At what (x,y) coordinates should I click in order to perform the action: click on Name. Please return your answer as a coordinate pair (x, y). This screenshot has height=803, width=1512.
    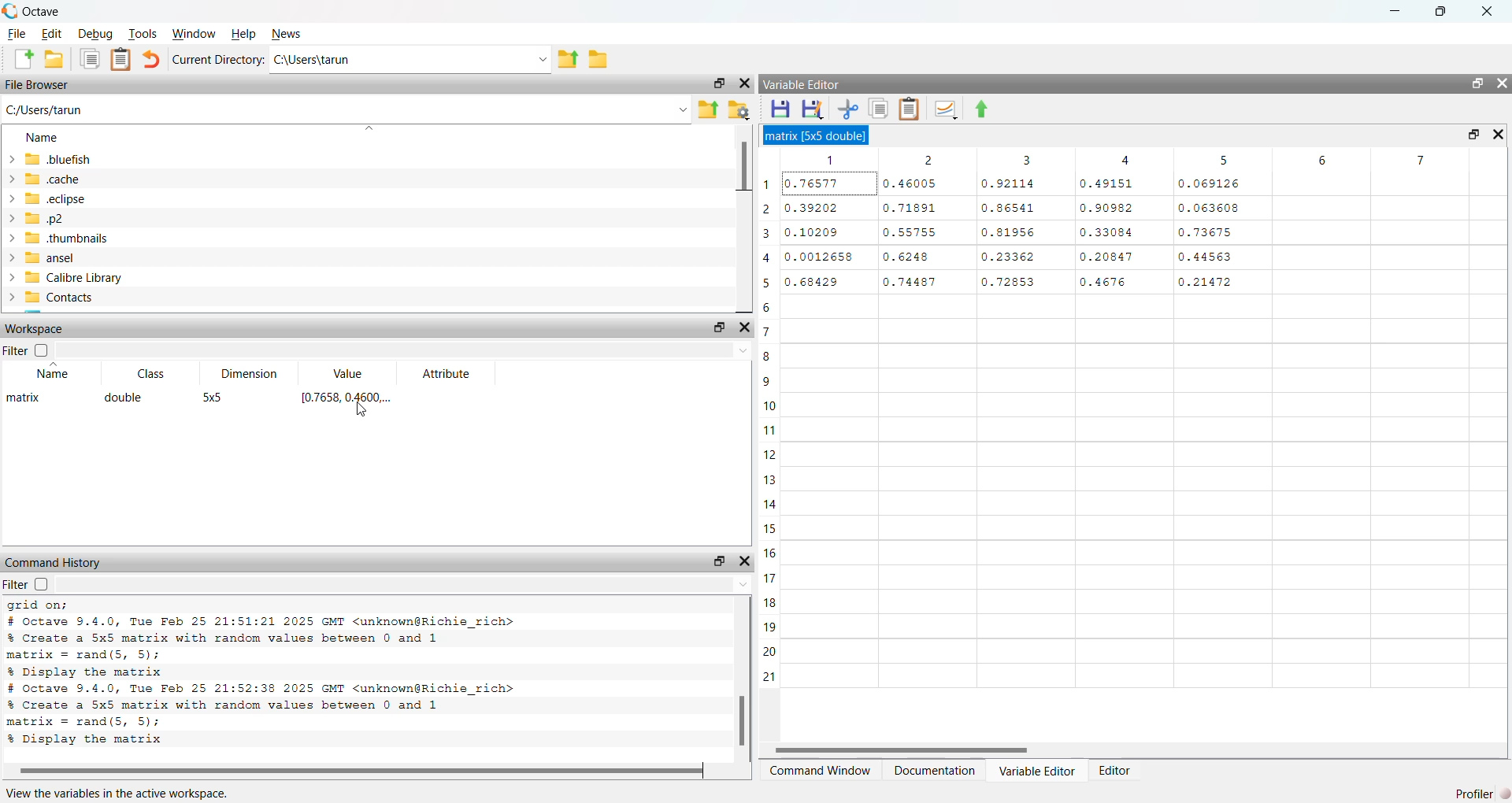
    Looking at the image, I should click on (46, 139).